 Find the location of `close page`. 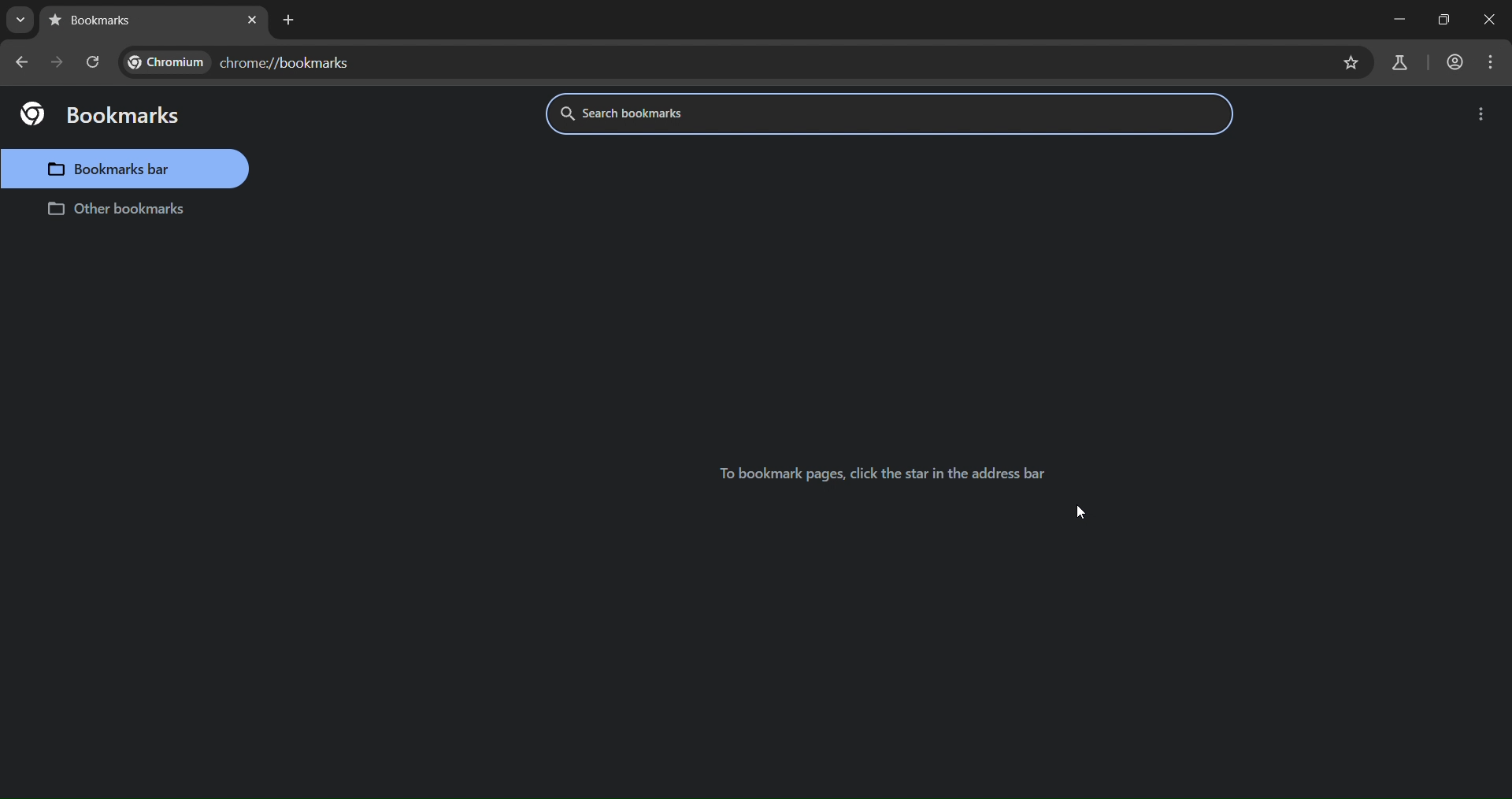

close page is located at coordinates (251, 21).